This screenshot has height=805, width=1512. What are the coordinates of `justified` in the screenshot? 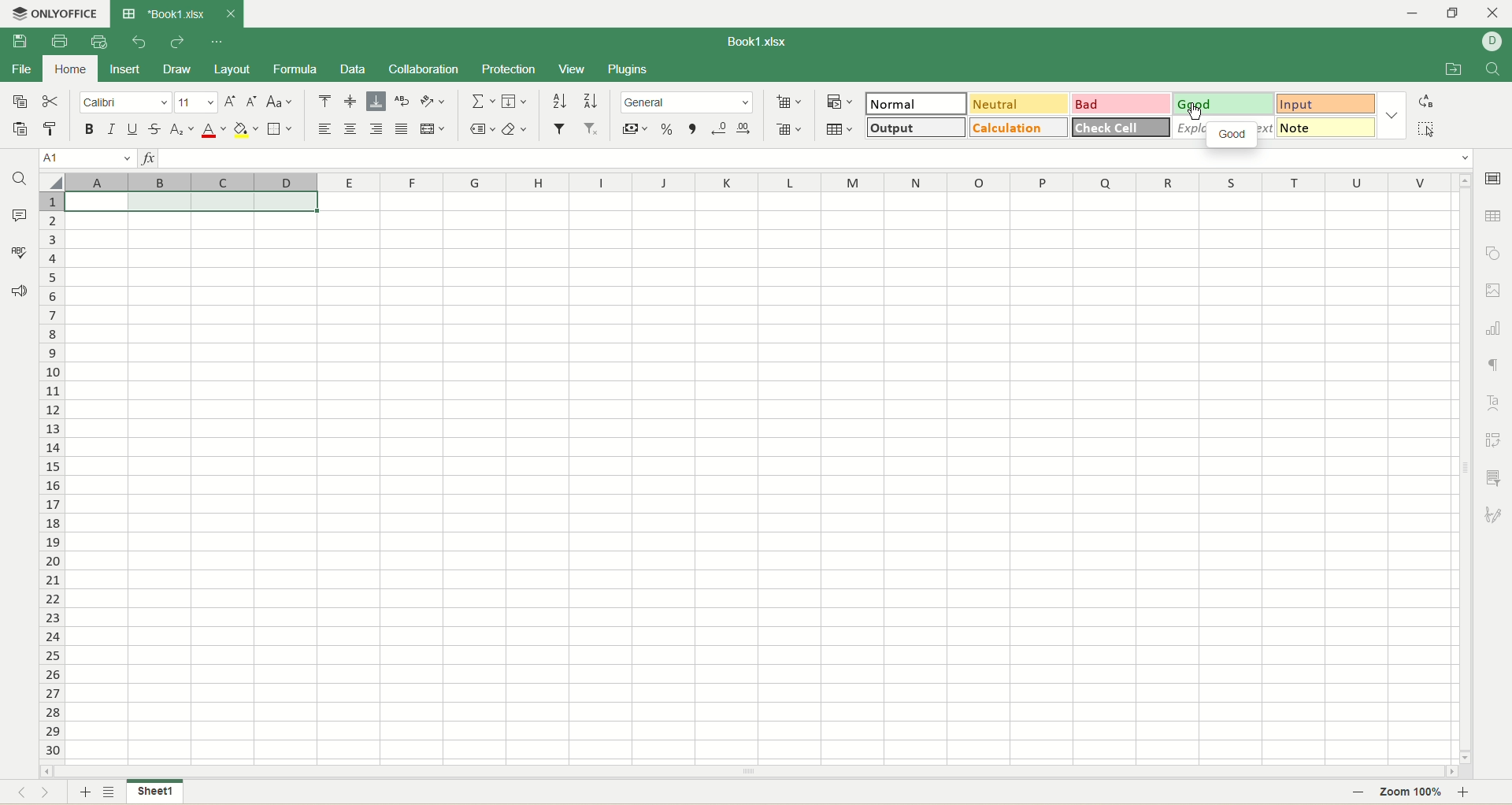 It's located at (402, 130).